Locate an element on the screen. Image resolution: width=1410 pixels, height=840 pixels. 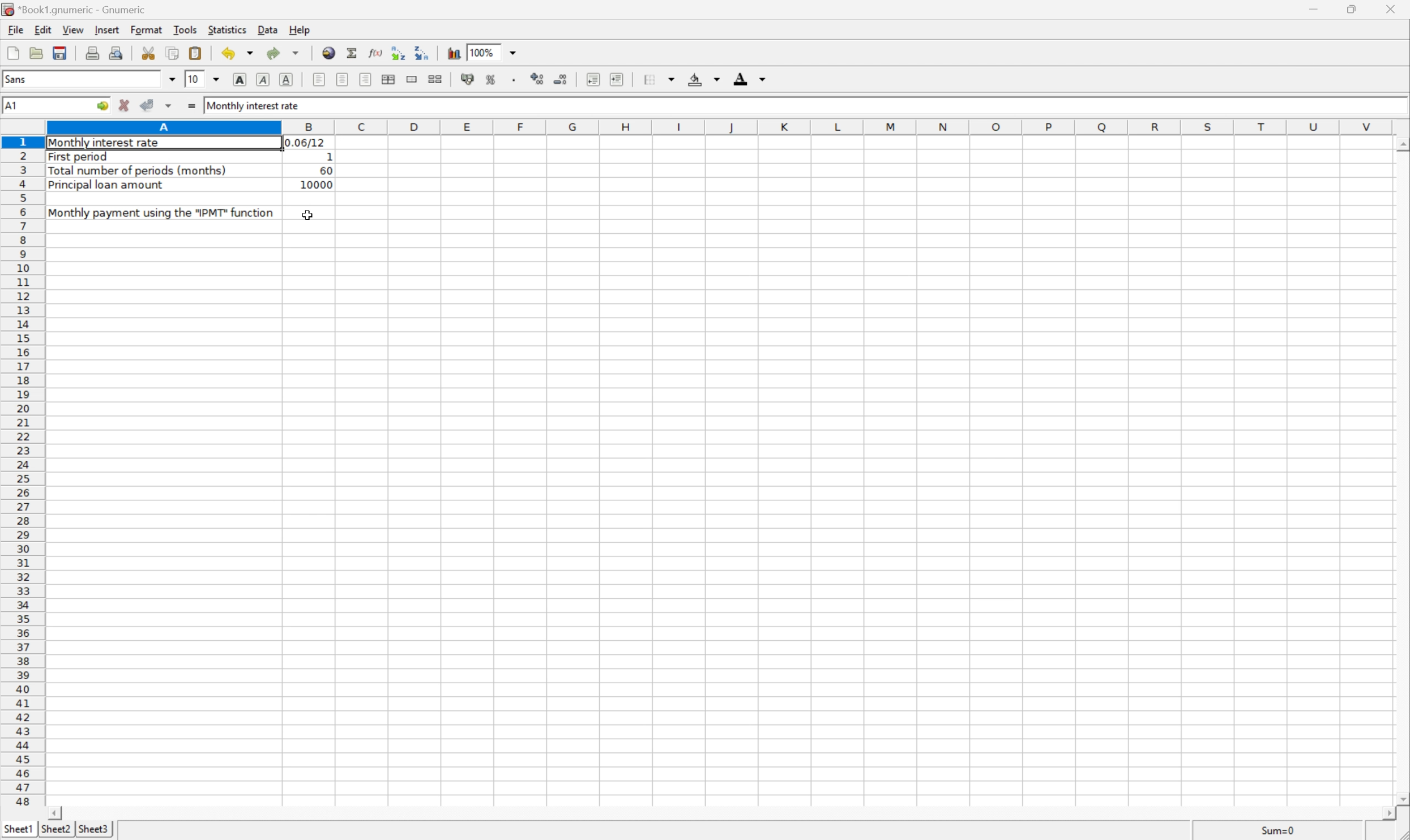
Tools is located at coordinates (188, 30).